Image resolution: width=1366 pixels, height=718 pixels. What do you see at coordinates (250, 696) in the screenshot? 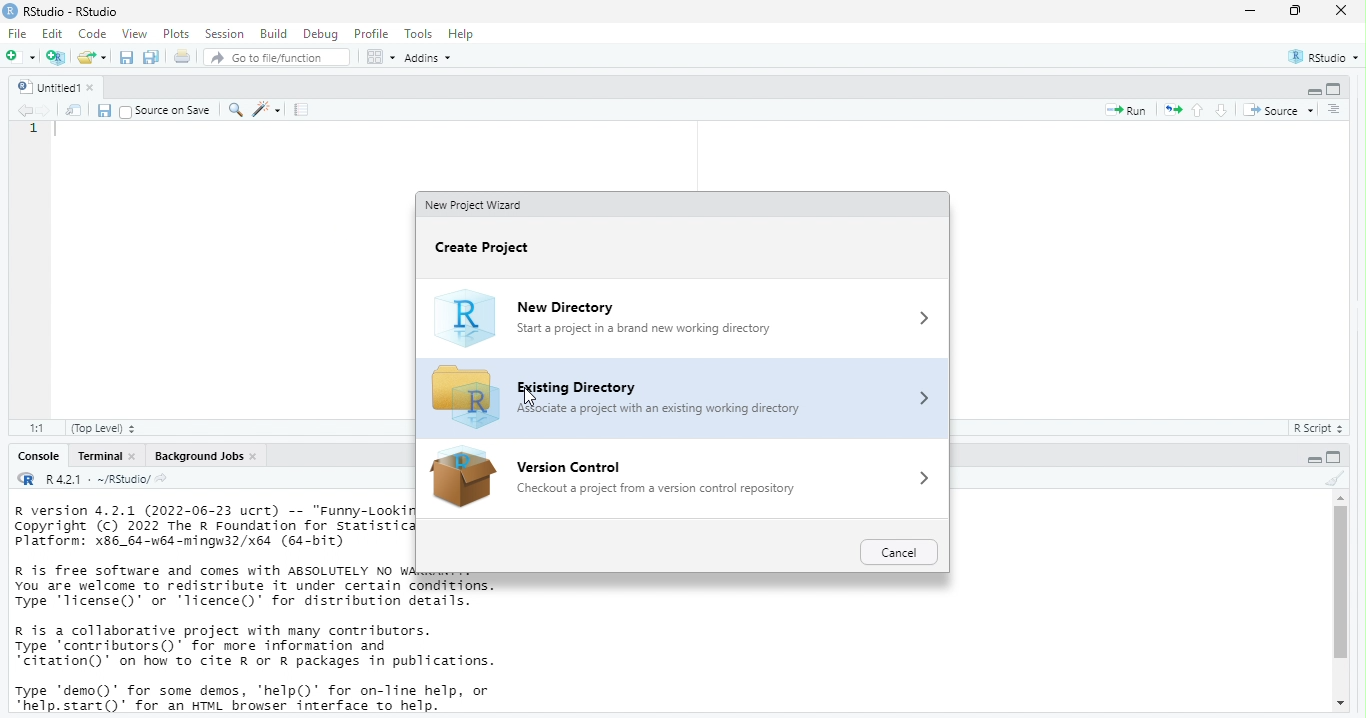
I see `description of any demo and help` at bounding box center [250, 696].